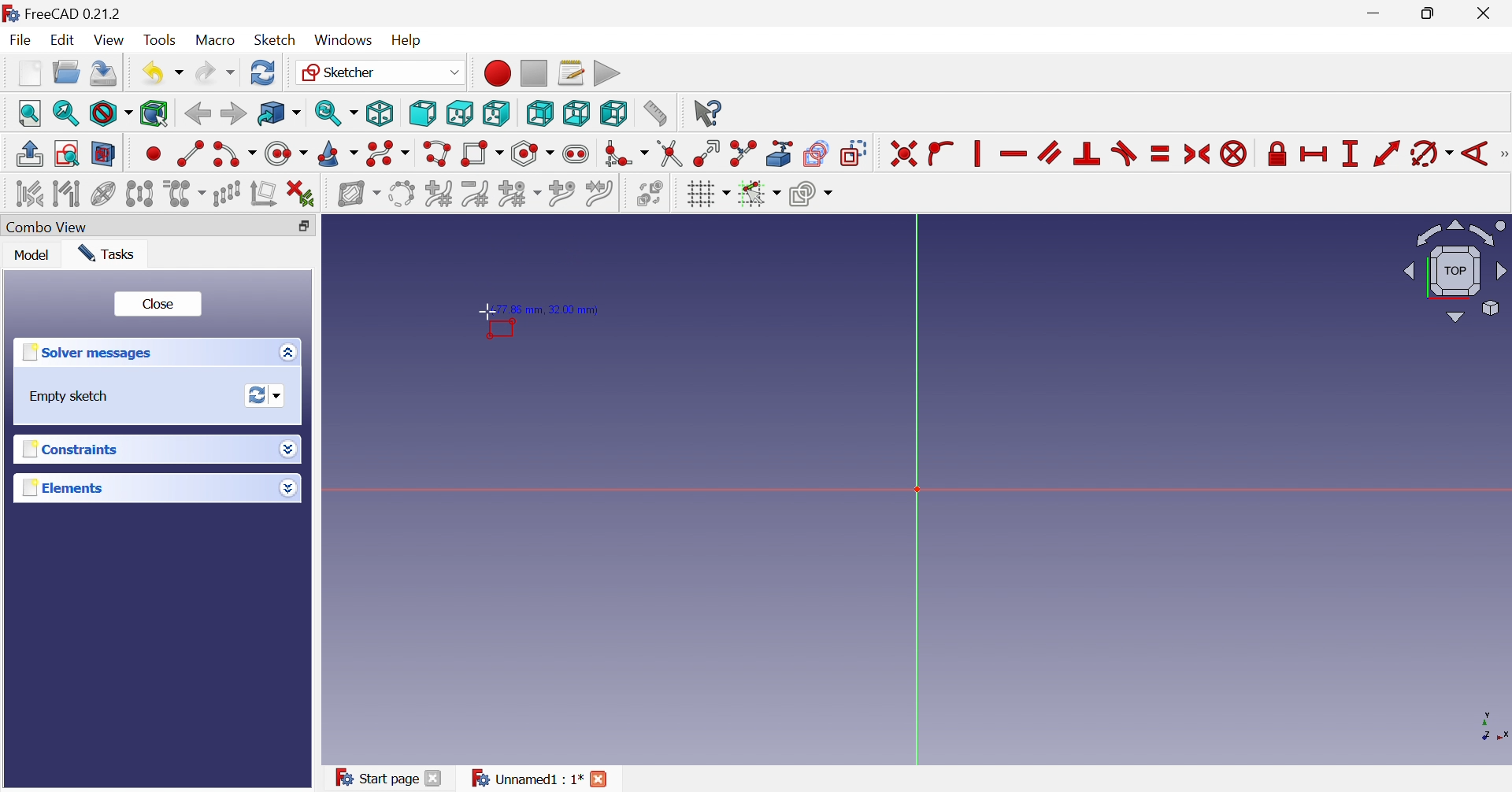 This screenshot has width=1512, height=792. I want to click on Top, so click(461, 113).